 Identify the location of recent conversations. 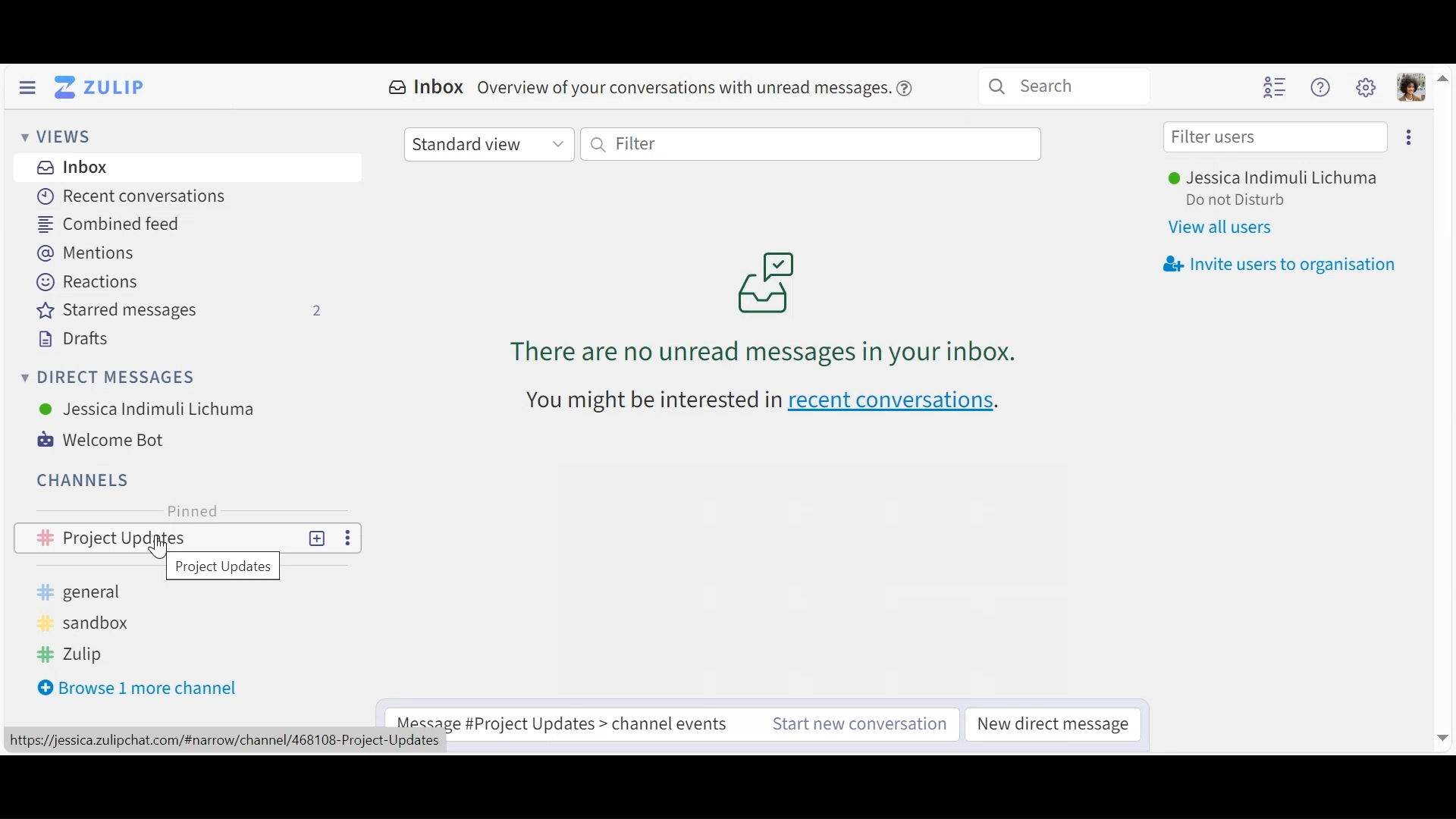
(756, 403).